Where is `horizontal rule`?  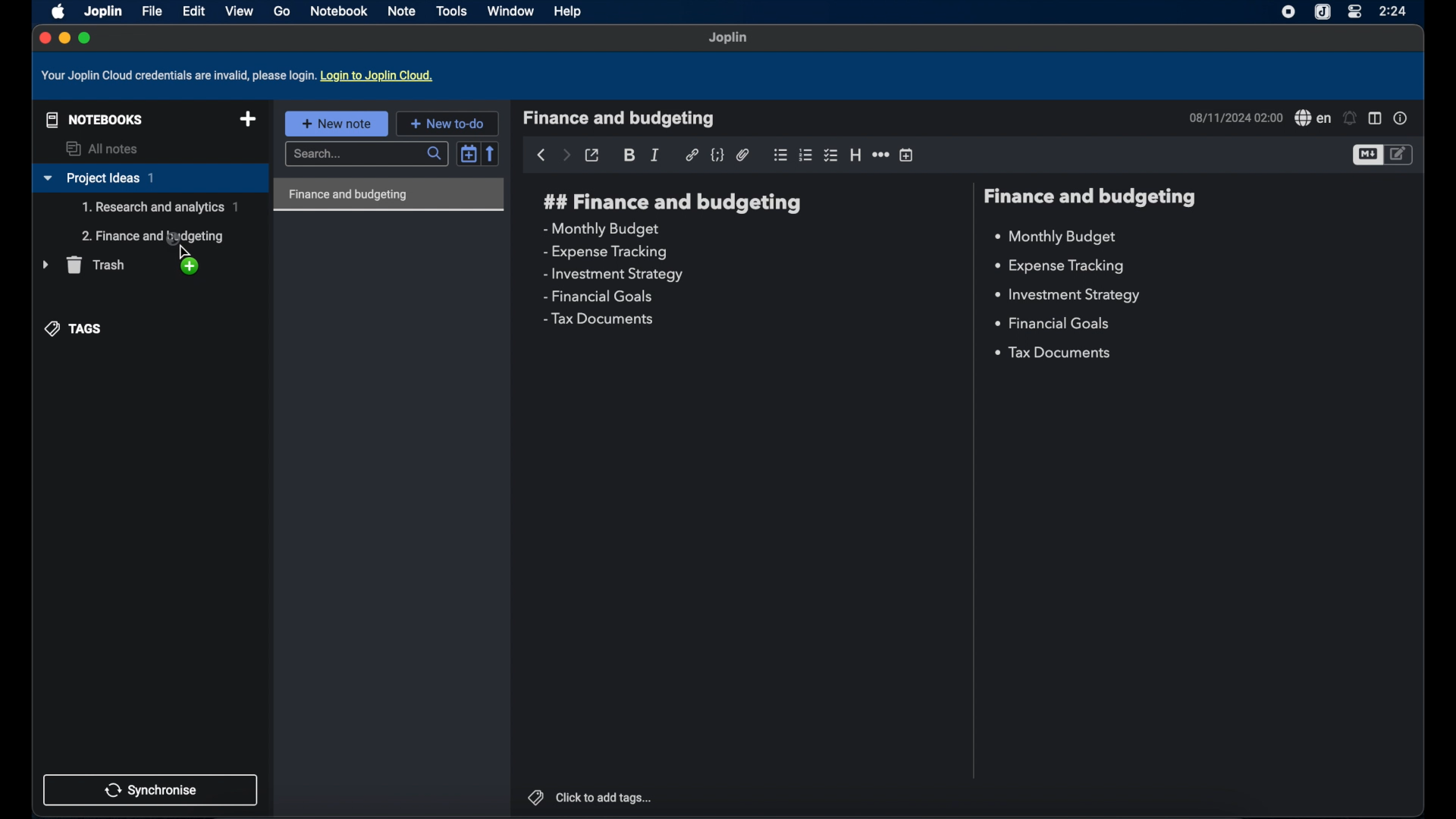 horizontal rule is located at coordinates (880, 155).